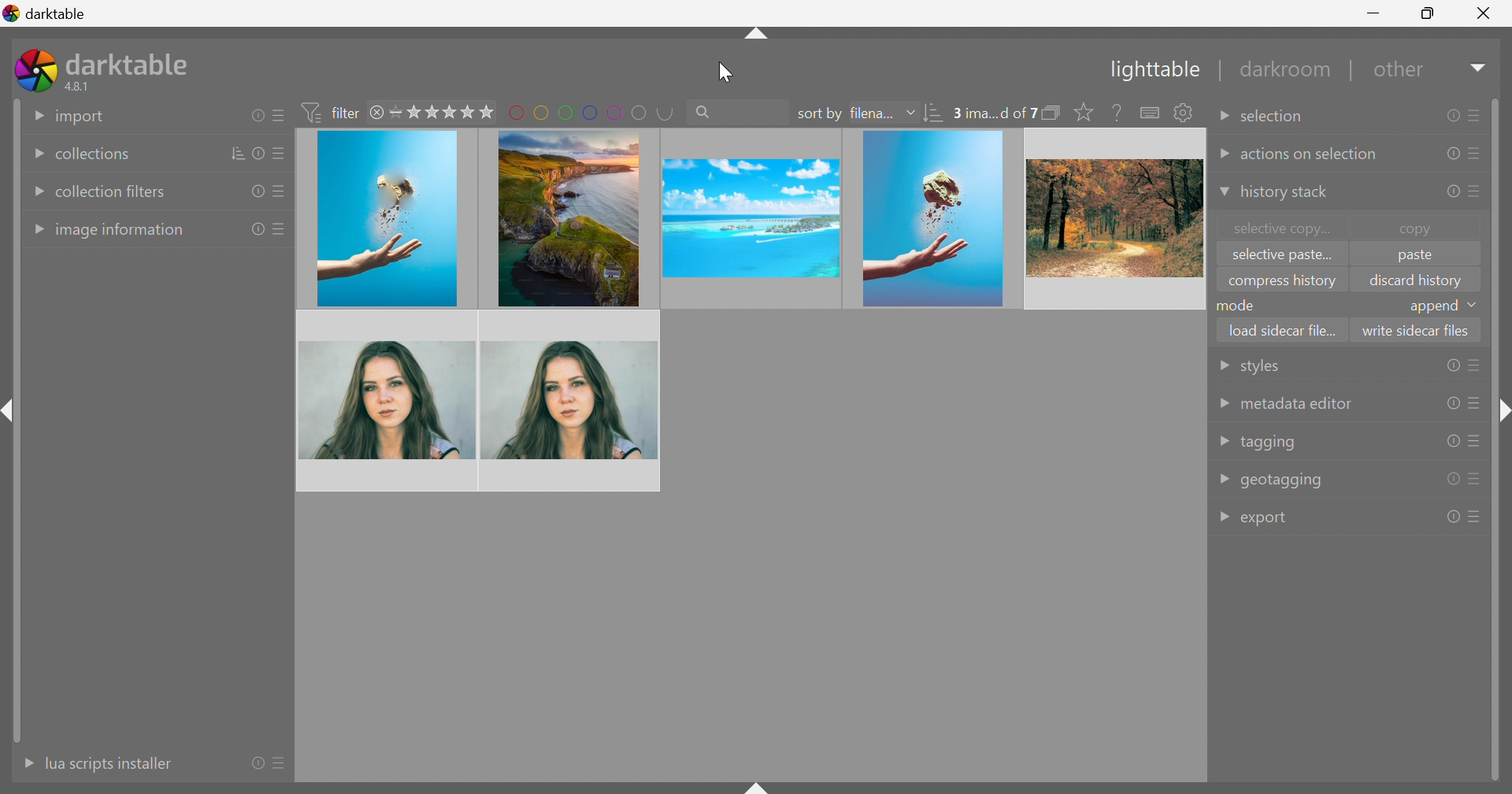 The image size is (1512, 794). What do you see at coordinates (131, 61) in the screenshot?
I see `darktable` at bounding box center [131, 61].